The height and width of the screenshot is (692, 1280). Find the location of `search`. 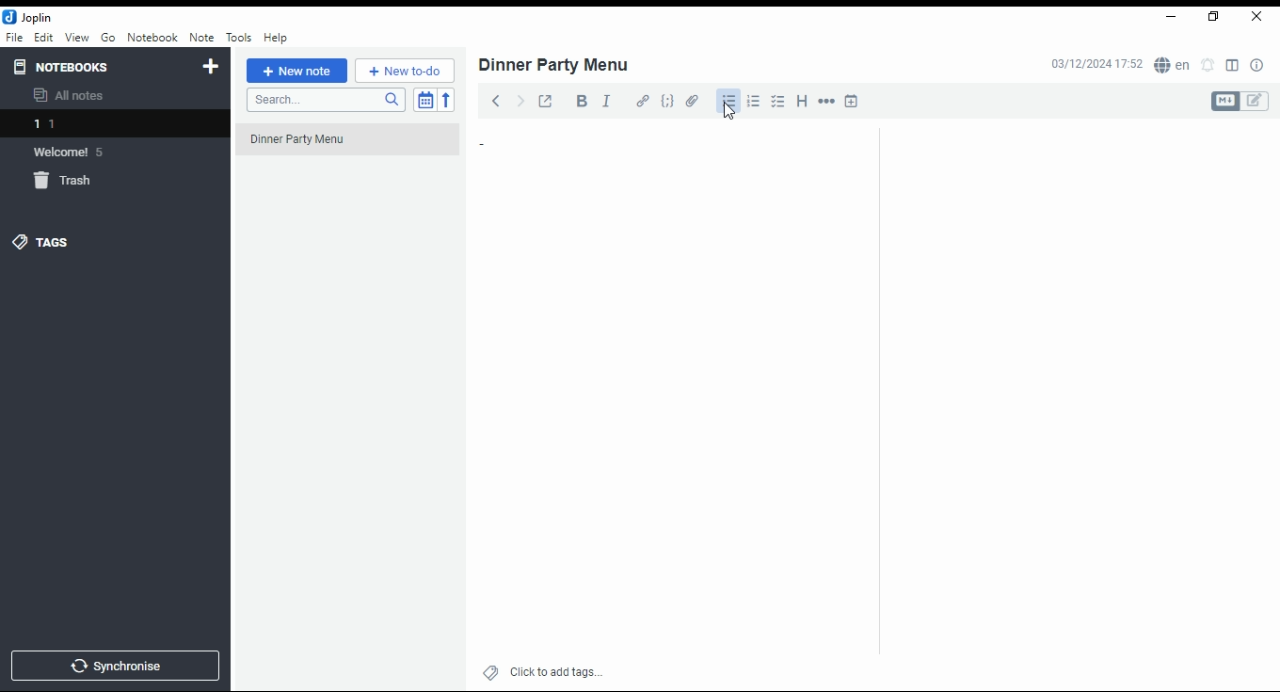

search is located at coordinates (324, 101).